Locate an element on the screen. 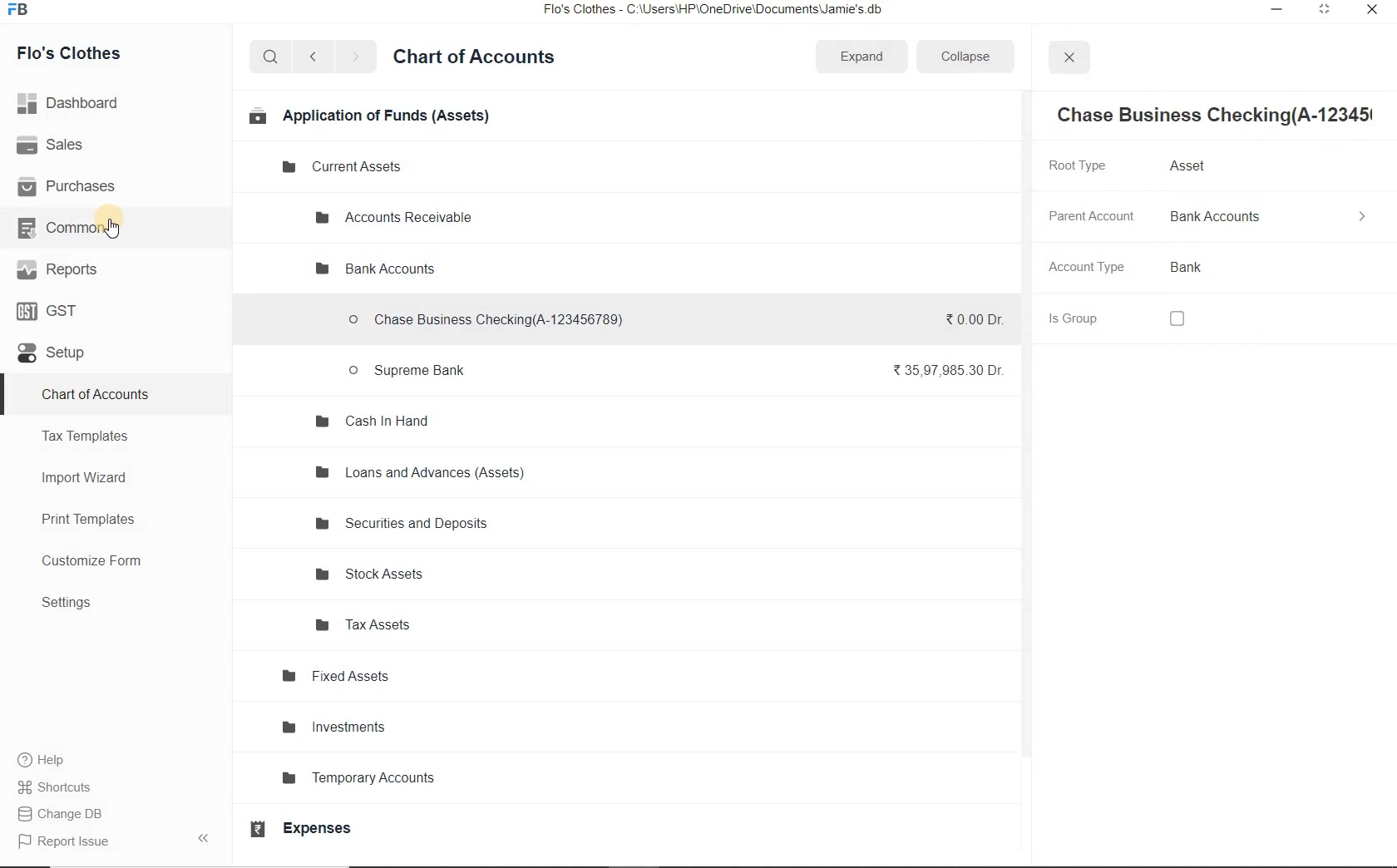  Purchases is located at coordinates (74, 185).